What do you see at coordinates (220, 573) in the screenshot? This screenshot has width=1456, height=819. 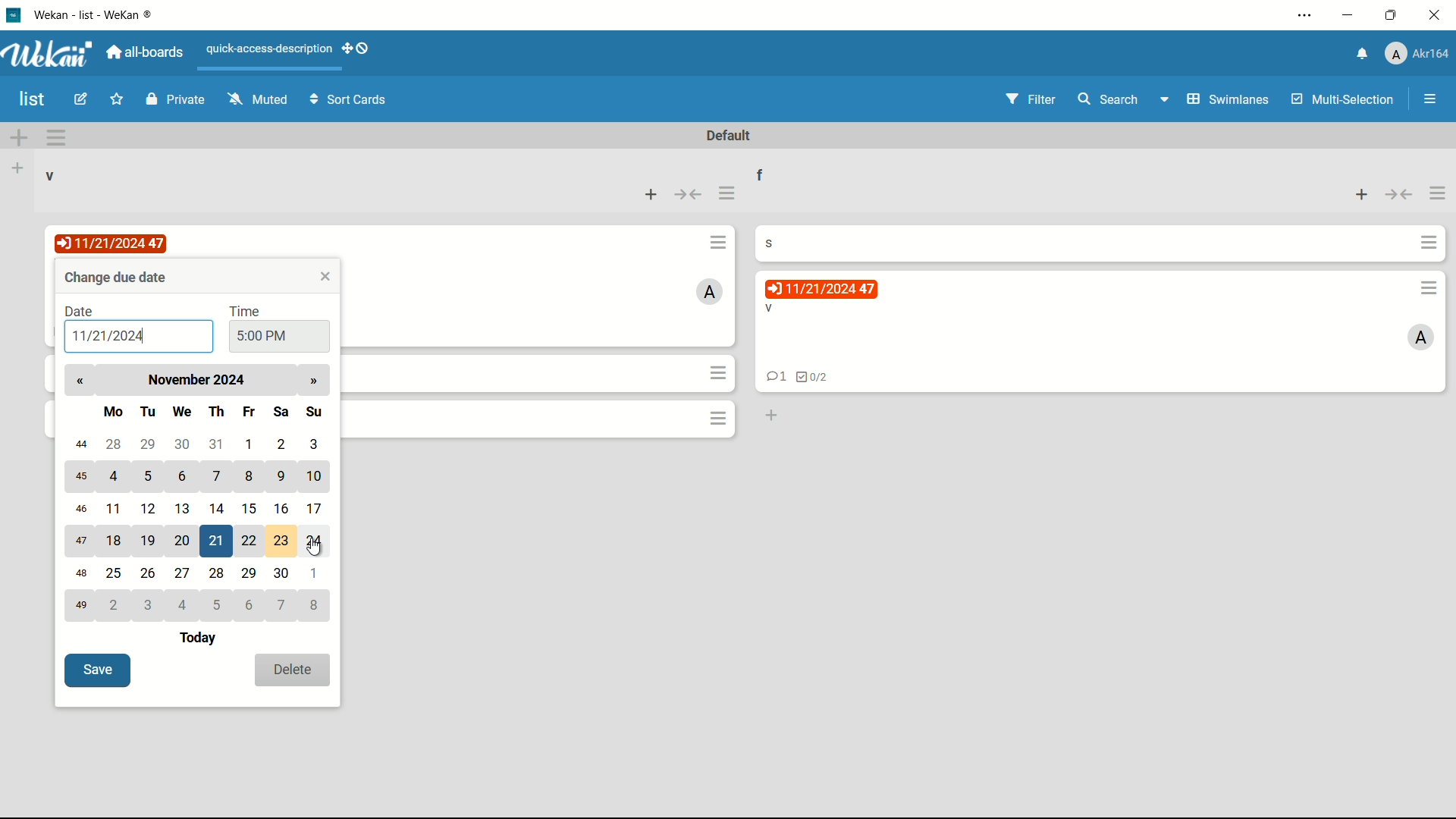 I see `28` at bounding box center [220, 573].